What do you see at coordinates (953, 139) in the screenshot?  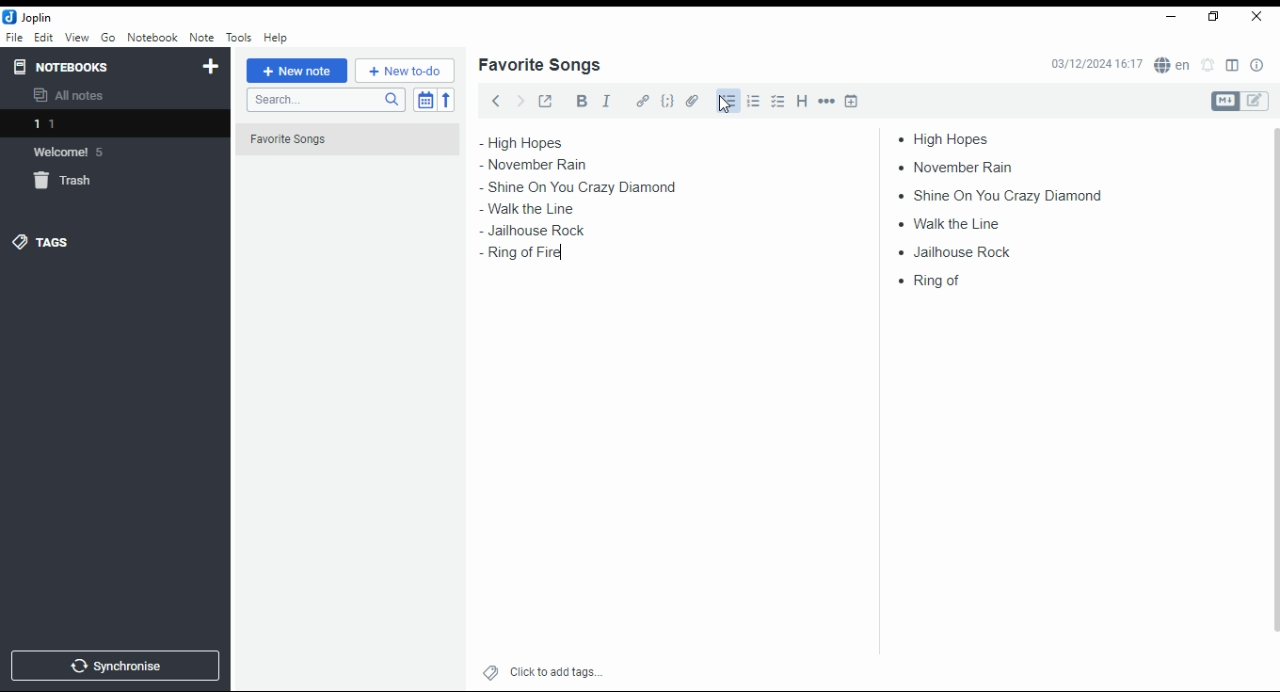 I see `high hopes` at bounding box center [953, 139].